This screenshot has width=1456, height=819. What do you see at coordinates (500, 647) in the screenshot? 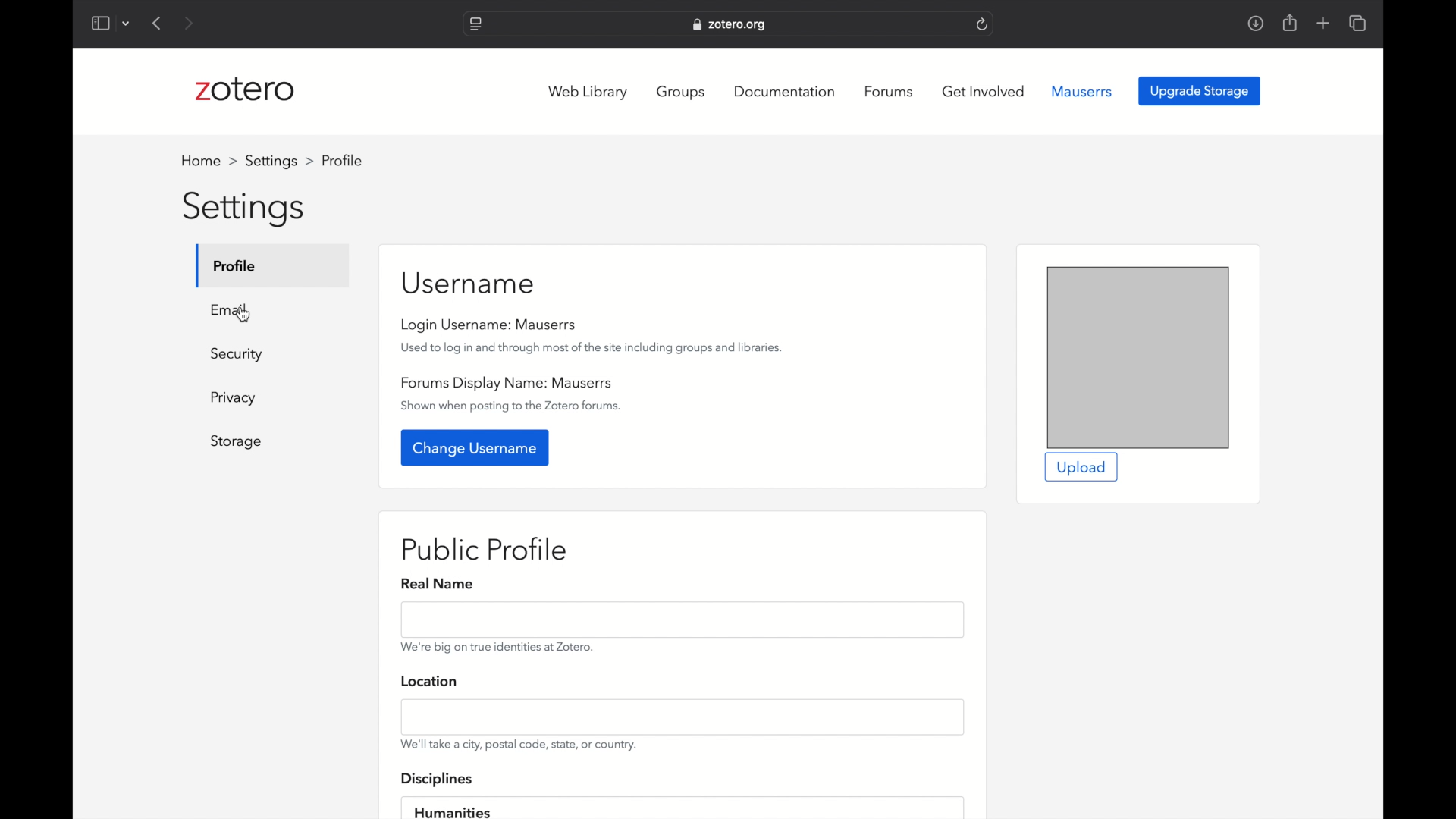
I see `info` at bounding box center [500, 647].